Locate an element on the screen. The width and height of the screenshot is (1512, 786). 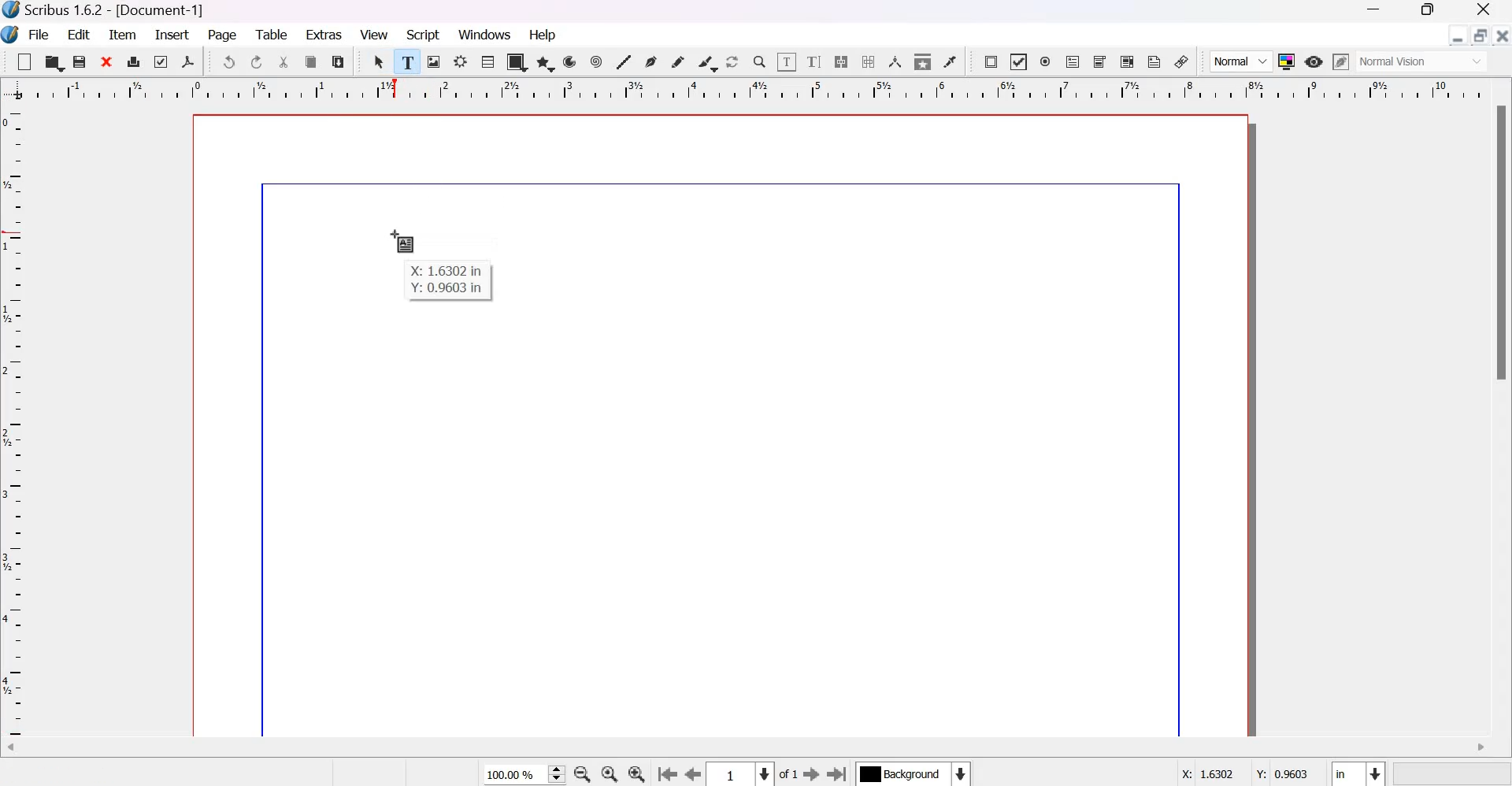
edit in preview mode is located at coordinates (1341, 61).